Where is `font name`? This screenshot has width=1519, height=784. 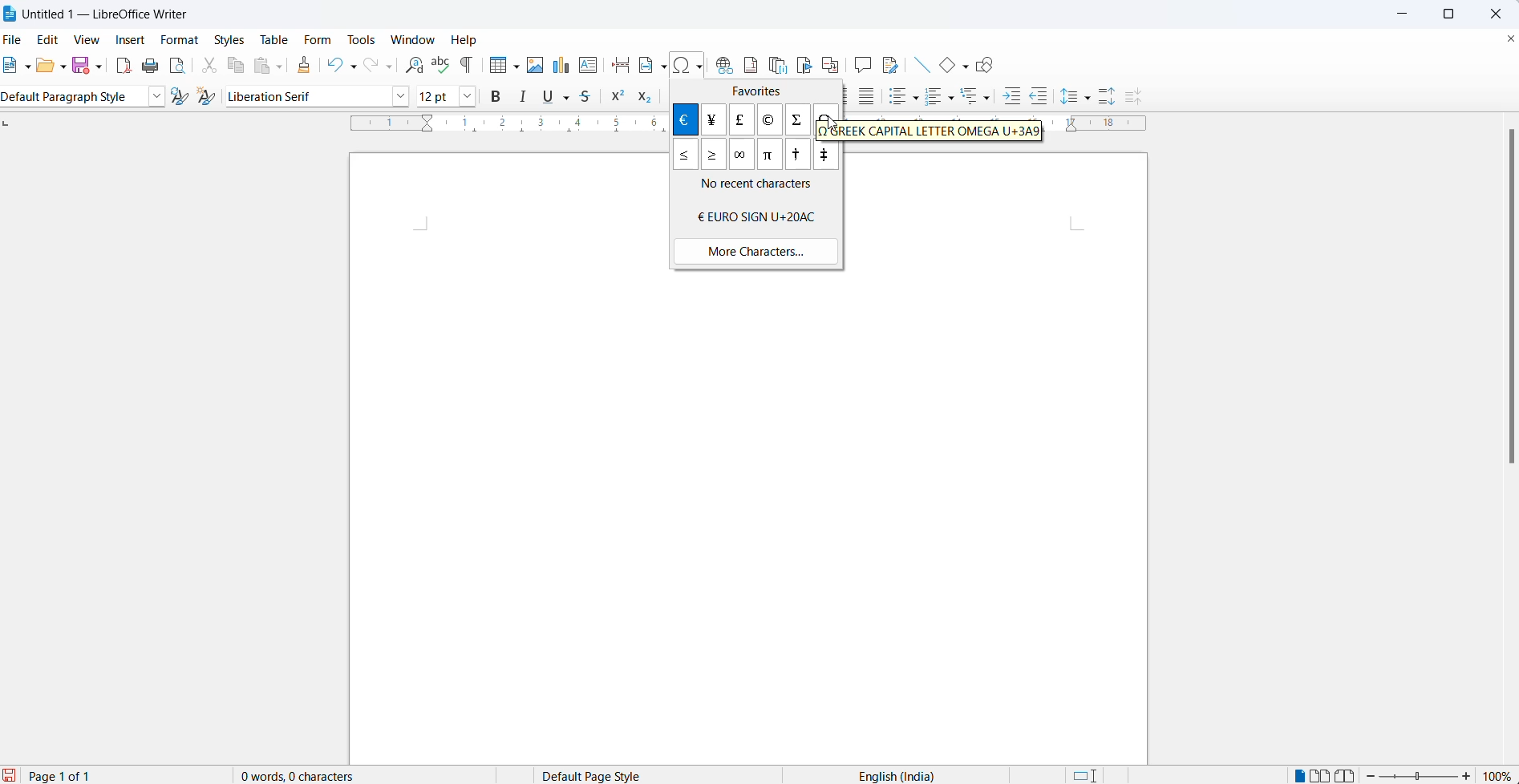 font name is located at coordinates (304, 95).